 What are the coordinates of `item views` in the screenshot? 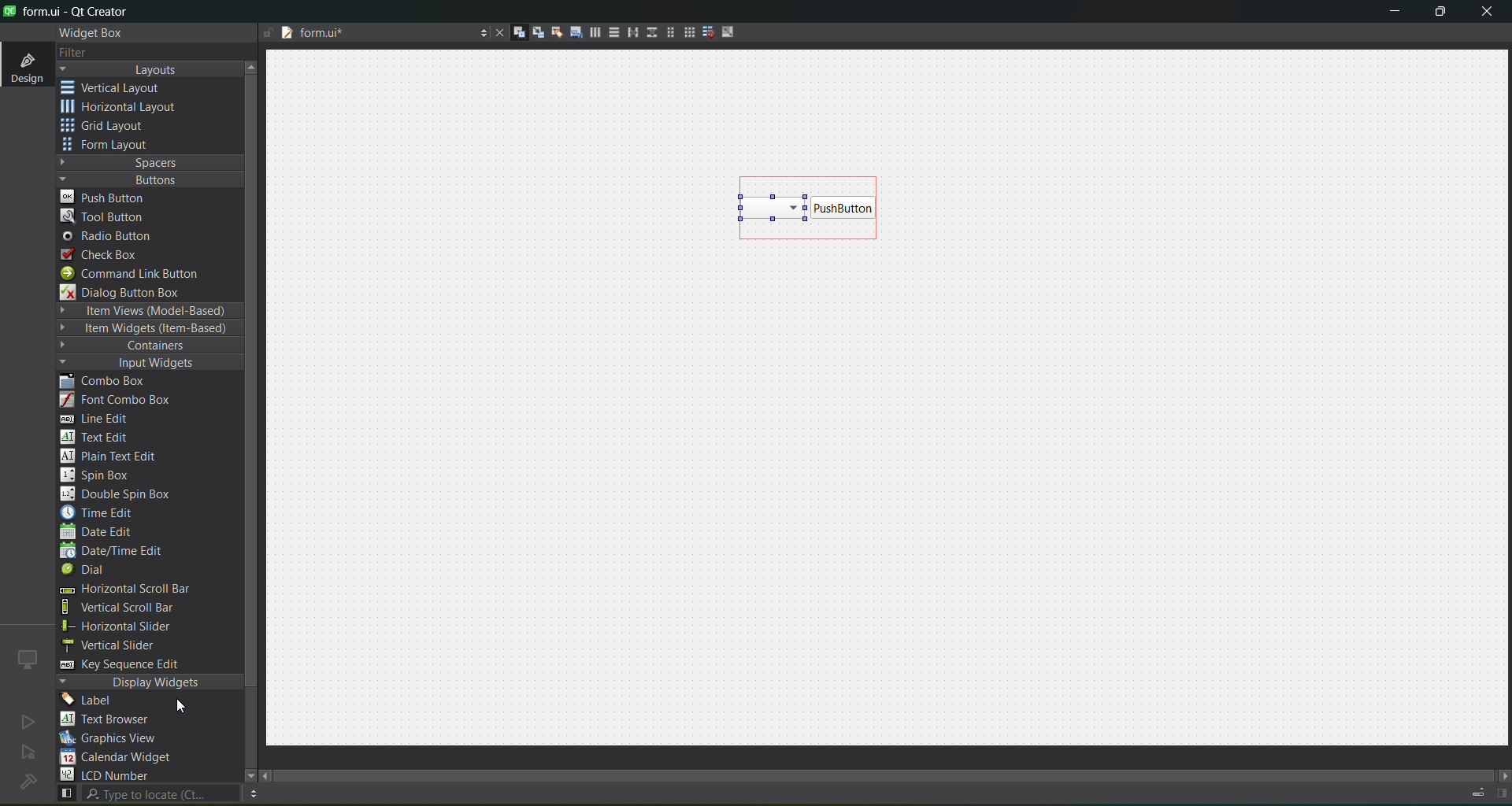 It's located at (148, 312).